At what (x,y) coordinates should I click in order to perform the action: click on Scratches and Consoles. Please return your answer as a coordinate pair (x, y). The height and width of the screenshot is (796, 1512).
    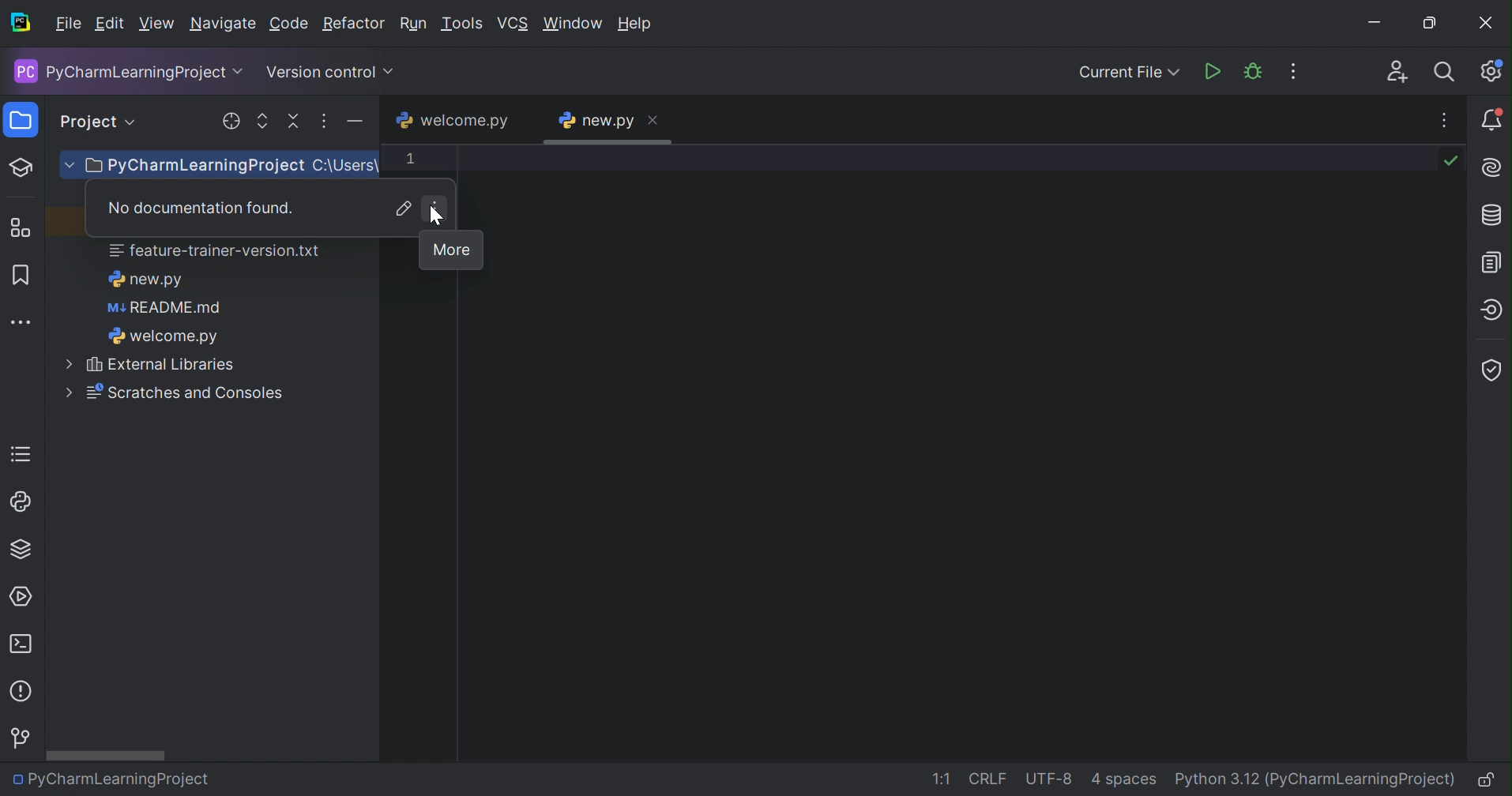
    Looking at the image, I should click on (168, 392).